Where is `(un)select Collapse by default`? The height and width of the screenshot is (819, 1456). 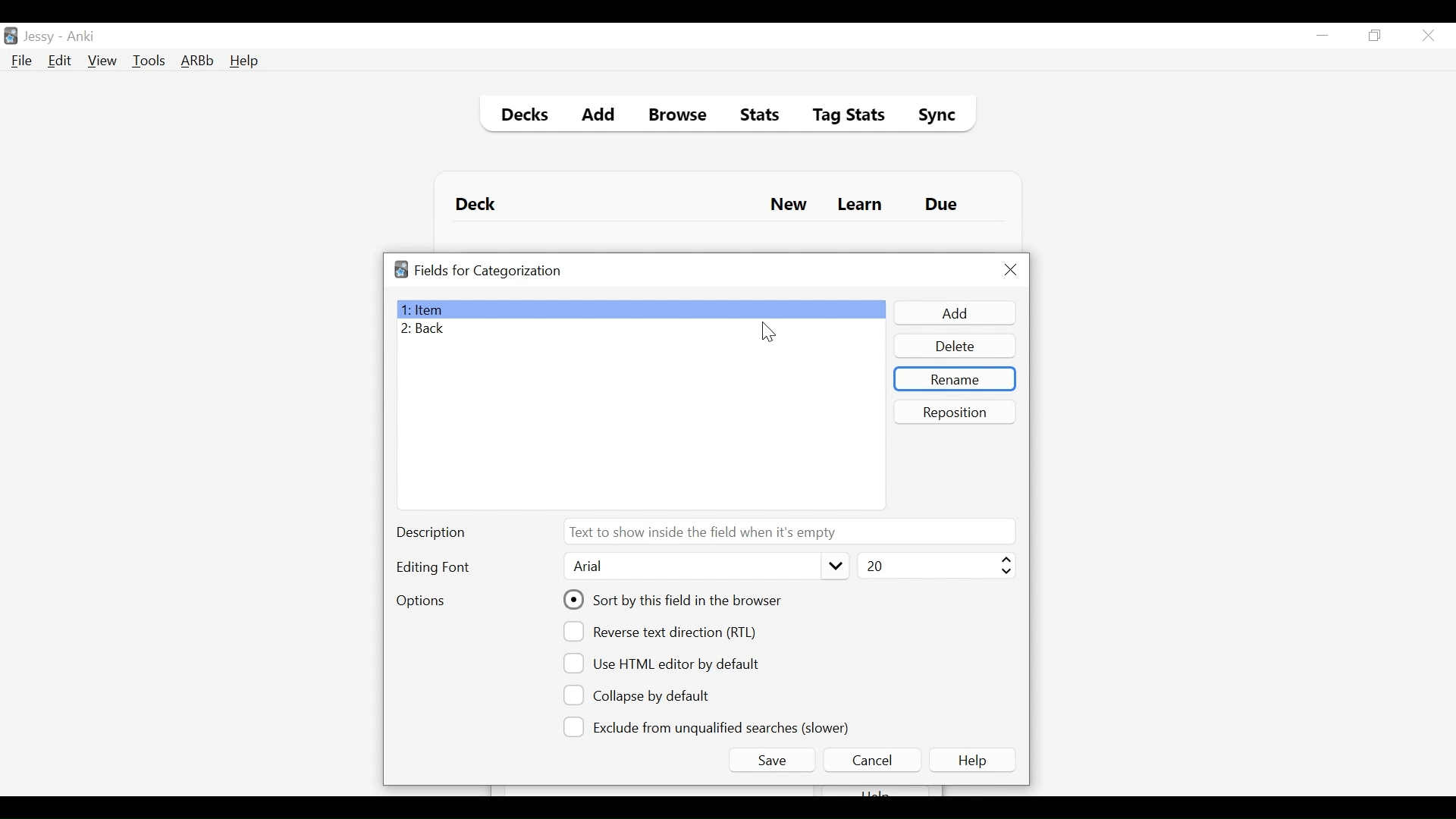 (un)select Collapse by default is located at coordinates (648, 695).